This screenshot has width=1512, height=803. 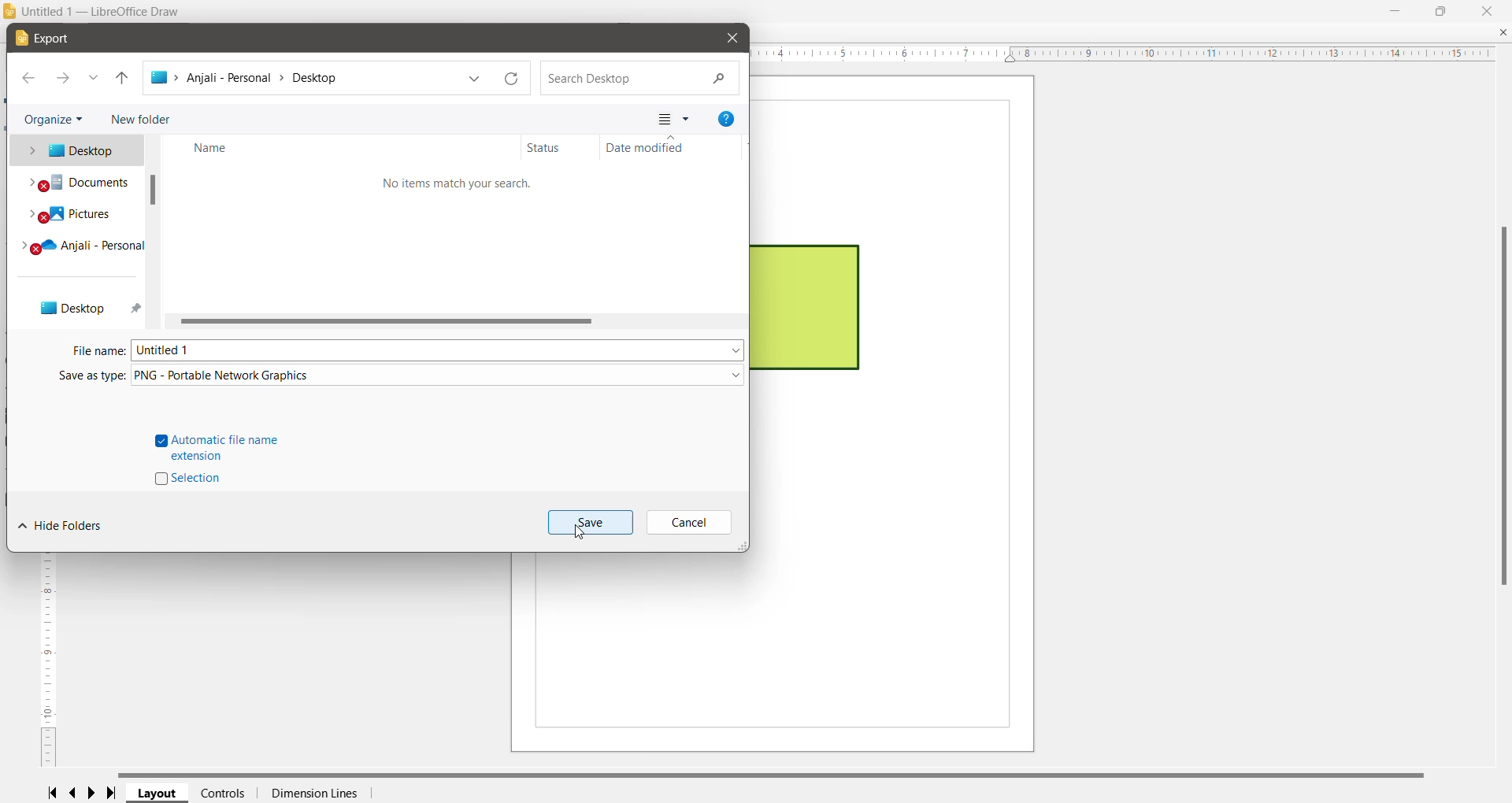 What do you see at coordinates (218, 447) in the screenshot?
I see `Automatic file name extension - click to enable/disable` at bounding box center [218, 447].